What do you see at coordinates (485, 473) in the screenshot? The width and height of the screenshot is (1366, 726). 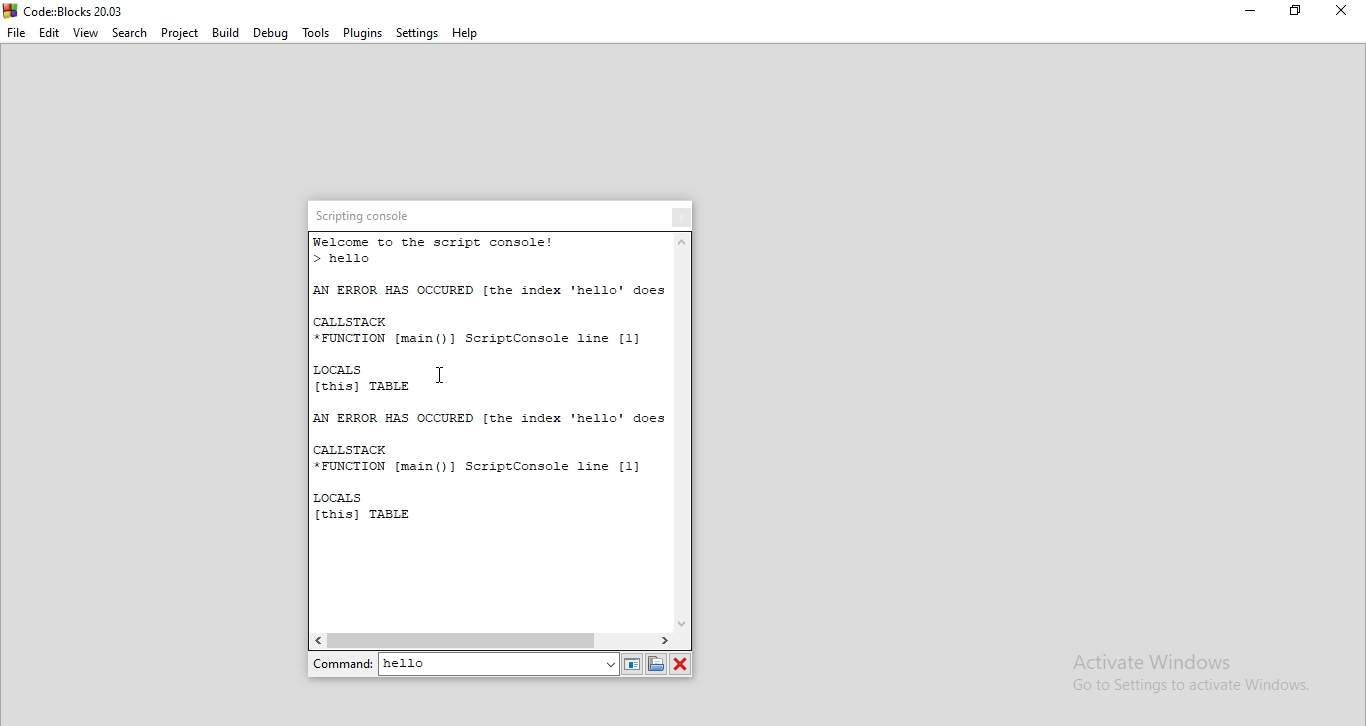 I see `AN ERROR HAS OCCURED [the index ‘hello’ does
CALLSTACK

FUNCTION [main()] ScriptConsole line [1]
LocaLs

[this] TABLE` at bounding box center [485, 473].